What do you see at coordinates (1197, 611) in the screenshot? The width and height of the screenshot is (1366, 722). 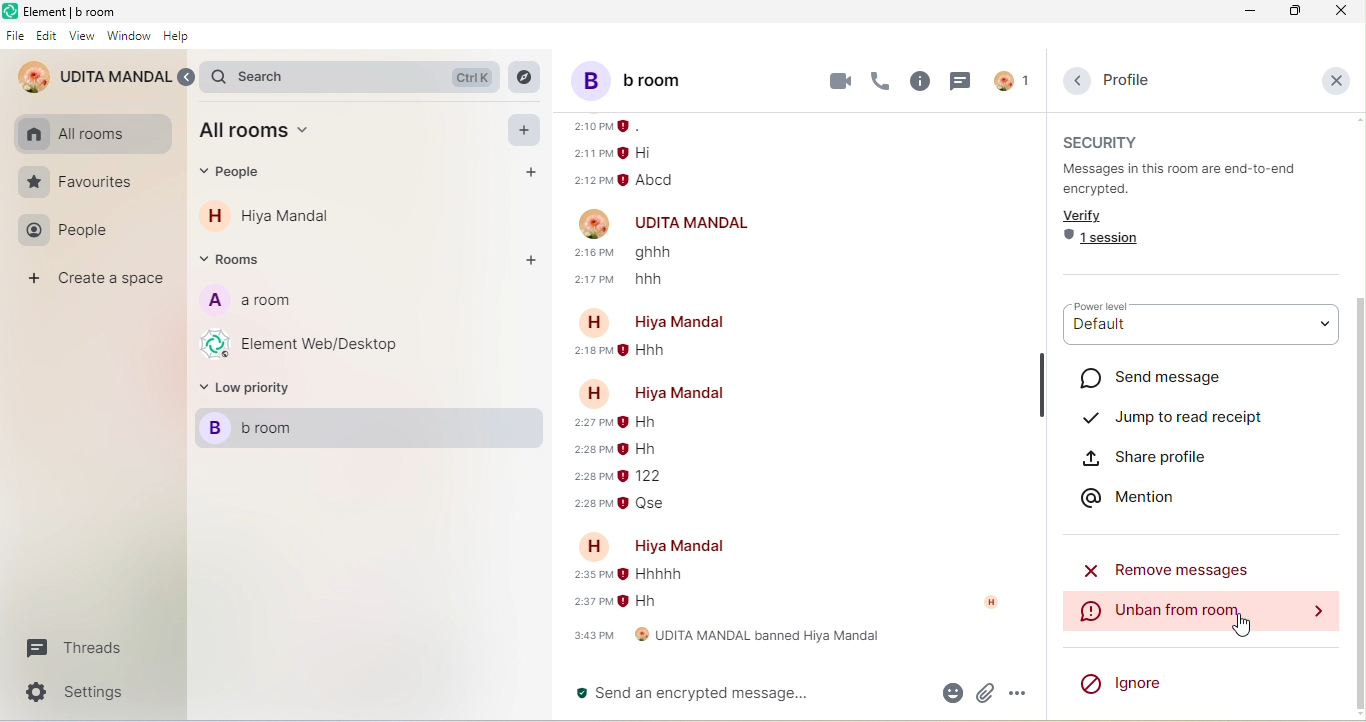 I see `select unban room option` at bounding box center [1197, 611].